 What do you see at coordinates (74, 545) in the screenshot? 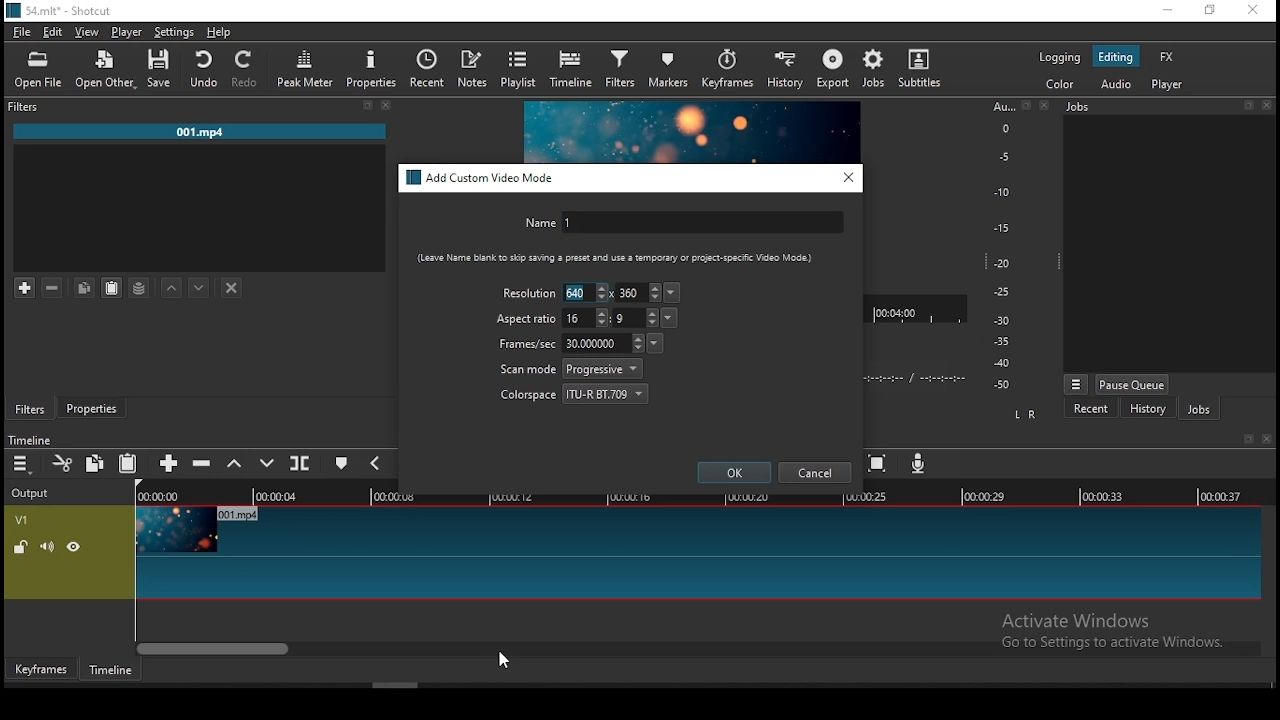
I see `hide video track` at bounding box center [74, 545].